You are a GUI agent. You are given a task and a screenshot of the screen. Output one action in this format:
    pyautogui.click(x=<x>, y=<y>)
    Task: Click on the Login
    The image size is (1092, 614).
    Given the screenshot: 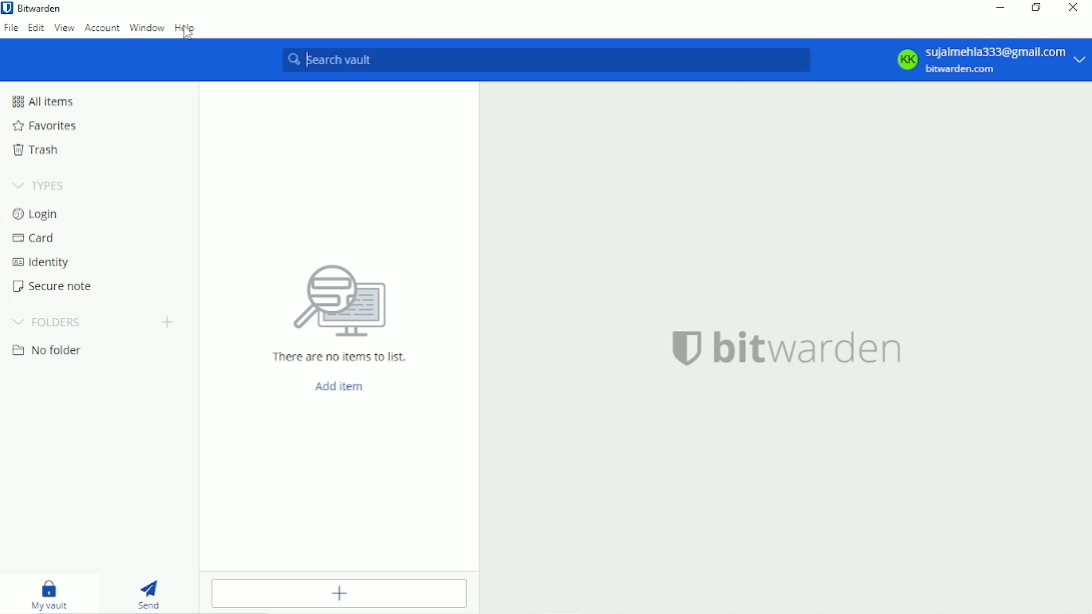 What is the action you would take?
    pyautogui.click(x=38, y=213)
    